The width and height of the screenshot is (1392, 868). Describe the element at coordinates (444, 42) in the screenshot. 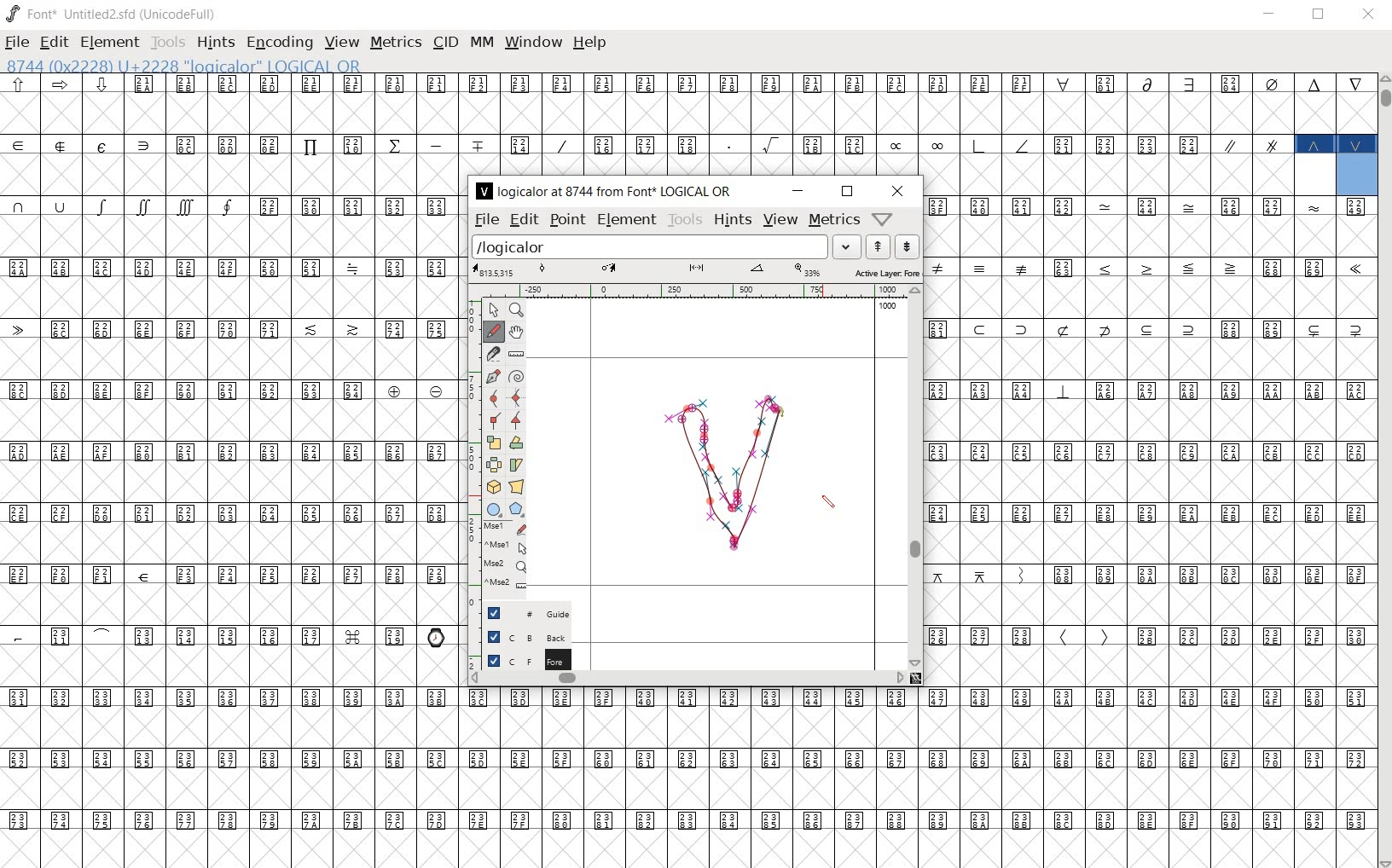

I see `cid` at that location.